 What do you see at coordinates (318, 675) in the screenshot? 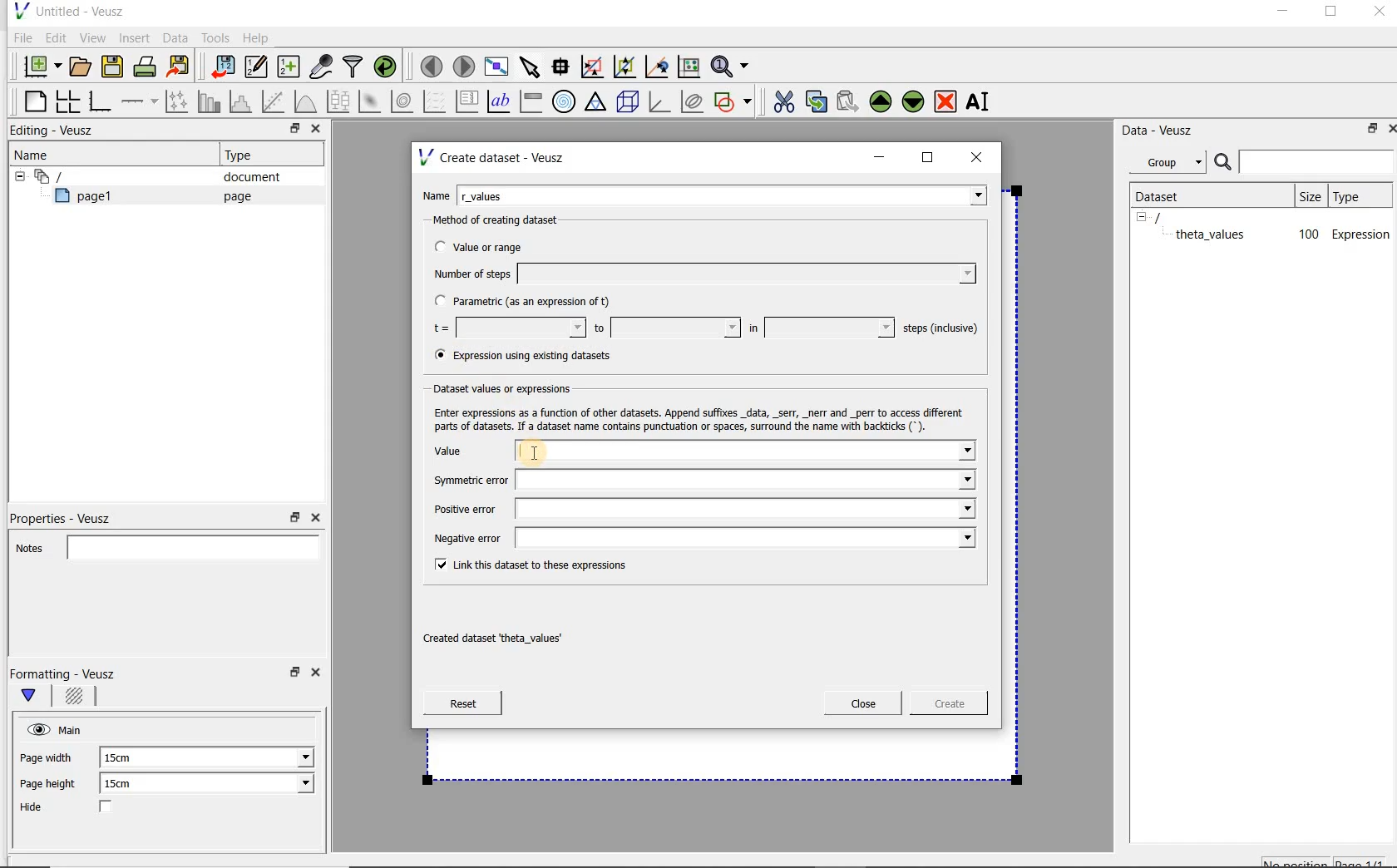
I see `Close` at bounding box center [318, 675].